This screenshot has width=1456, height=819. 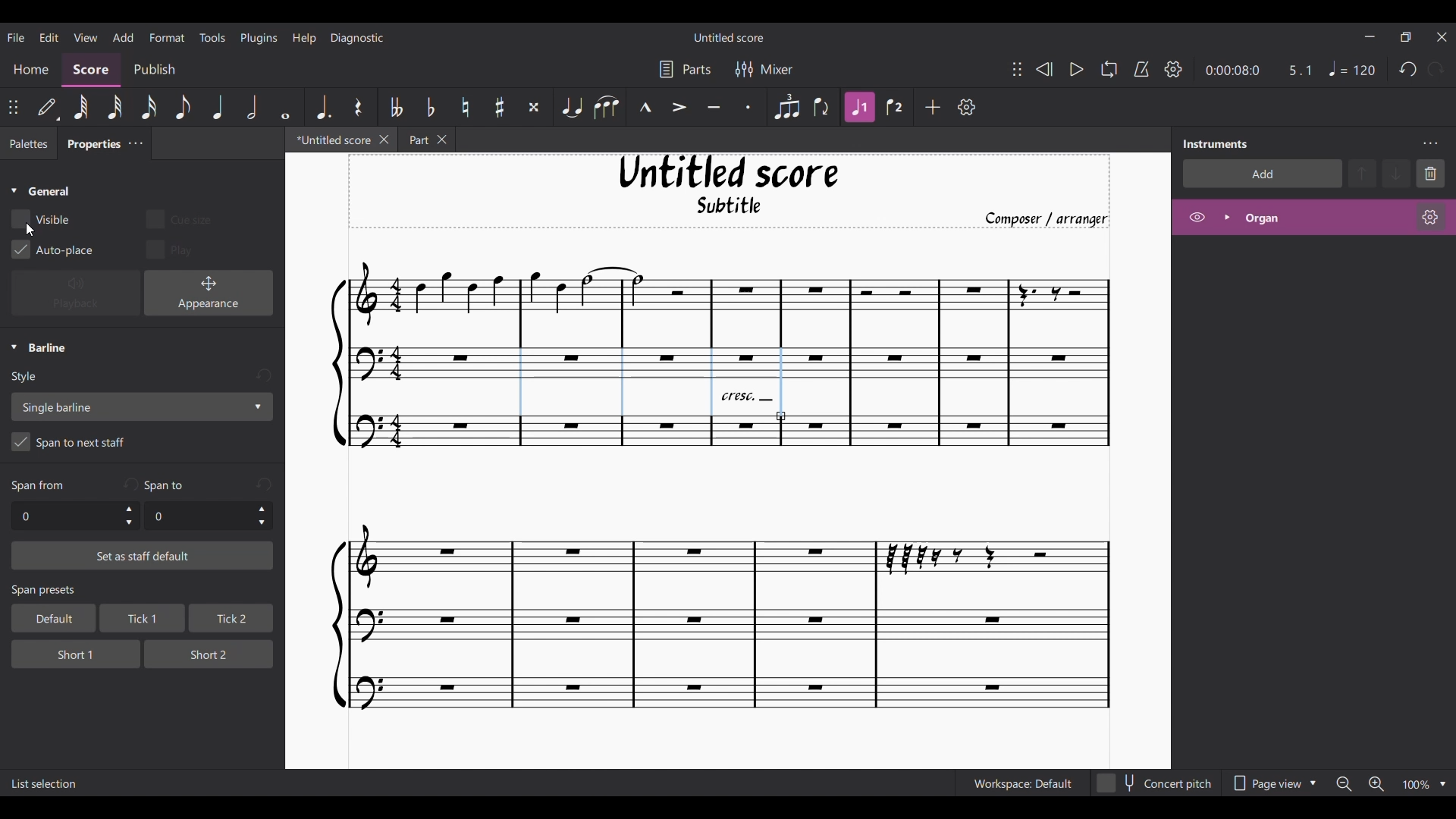 I want to click on Current tab highlighted, so click(x=328, y=142).